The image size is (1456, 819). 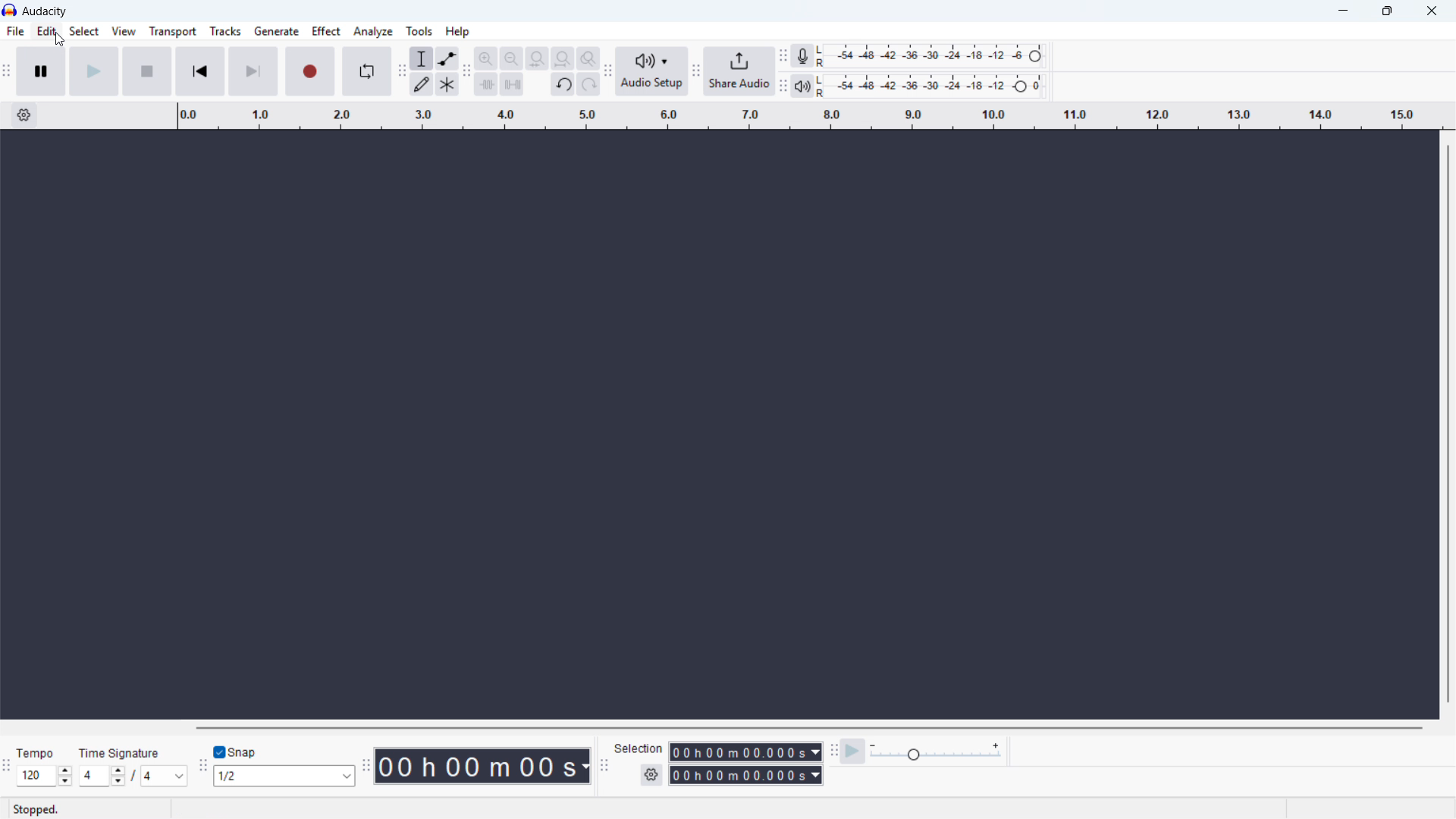 I want to click on skip to start, so click(x=200, y=71).